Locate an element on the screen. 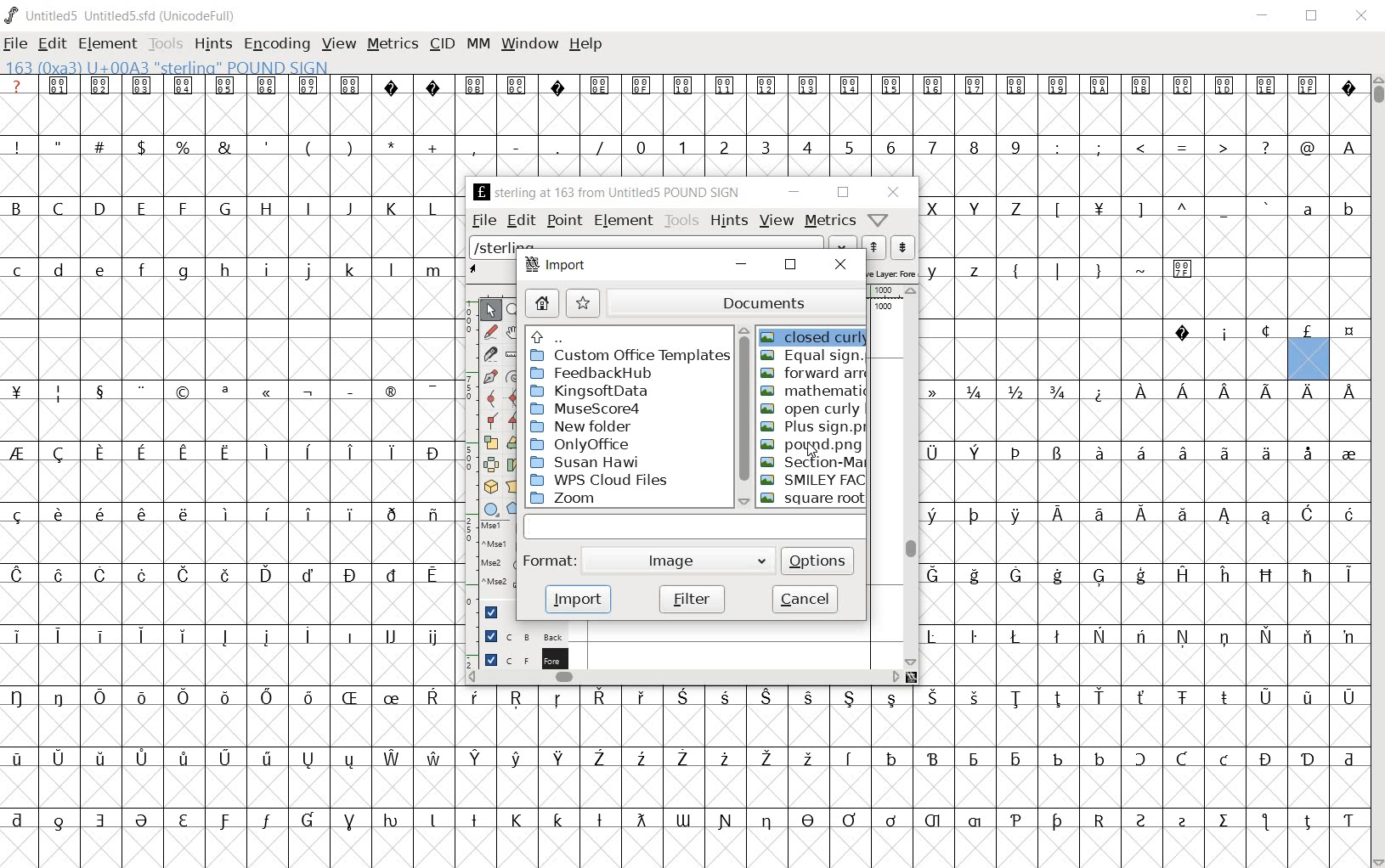 This screenshot has width=1385, height=868. Symbol is located at coordinates (59, 757).